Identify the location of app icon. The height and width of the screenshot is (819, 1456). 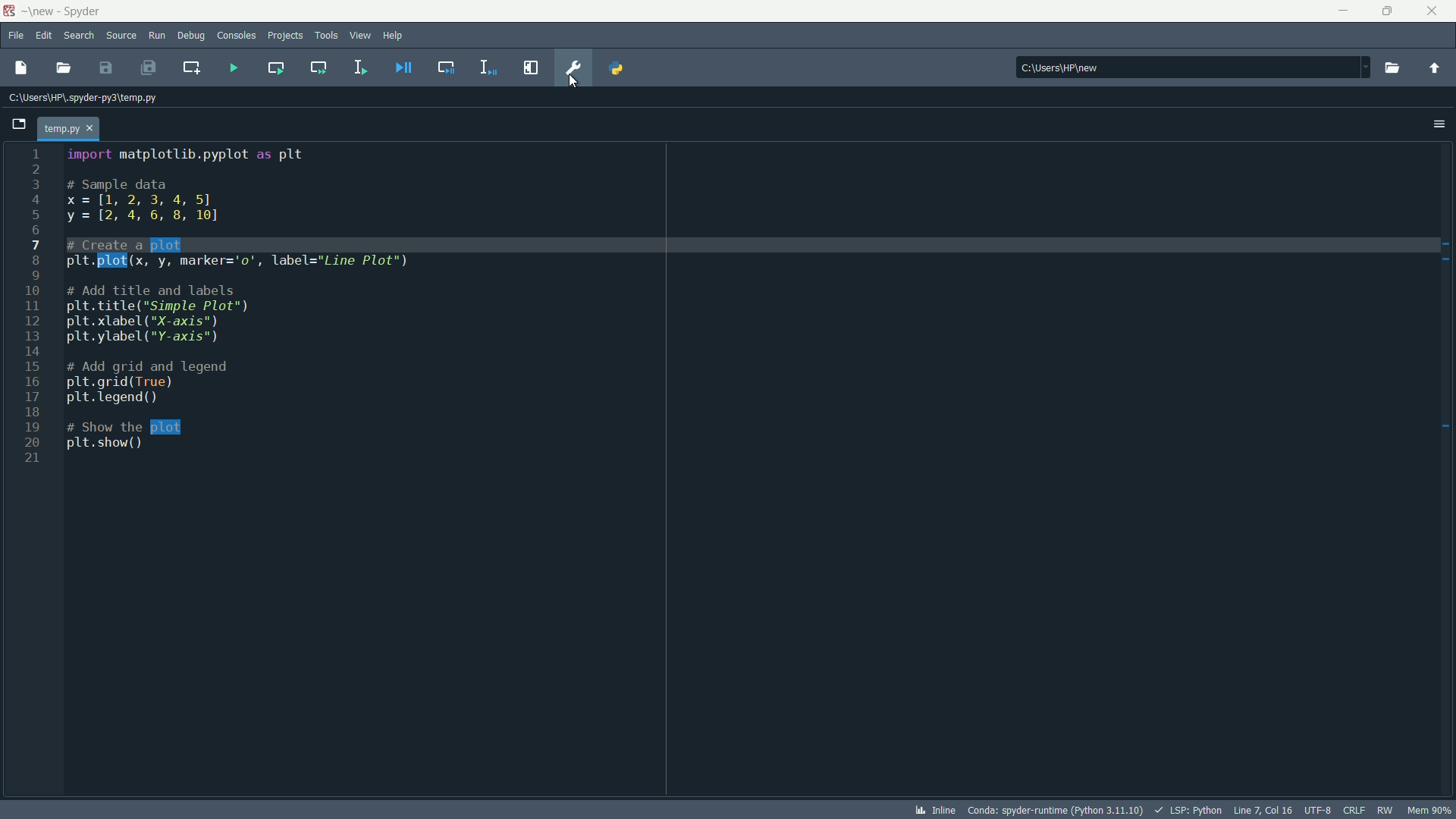
(11, 11).